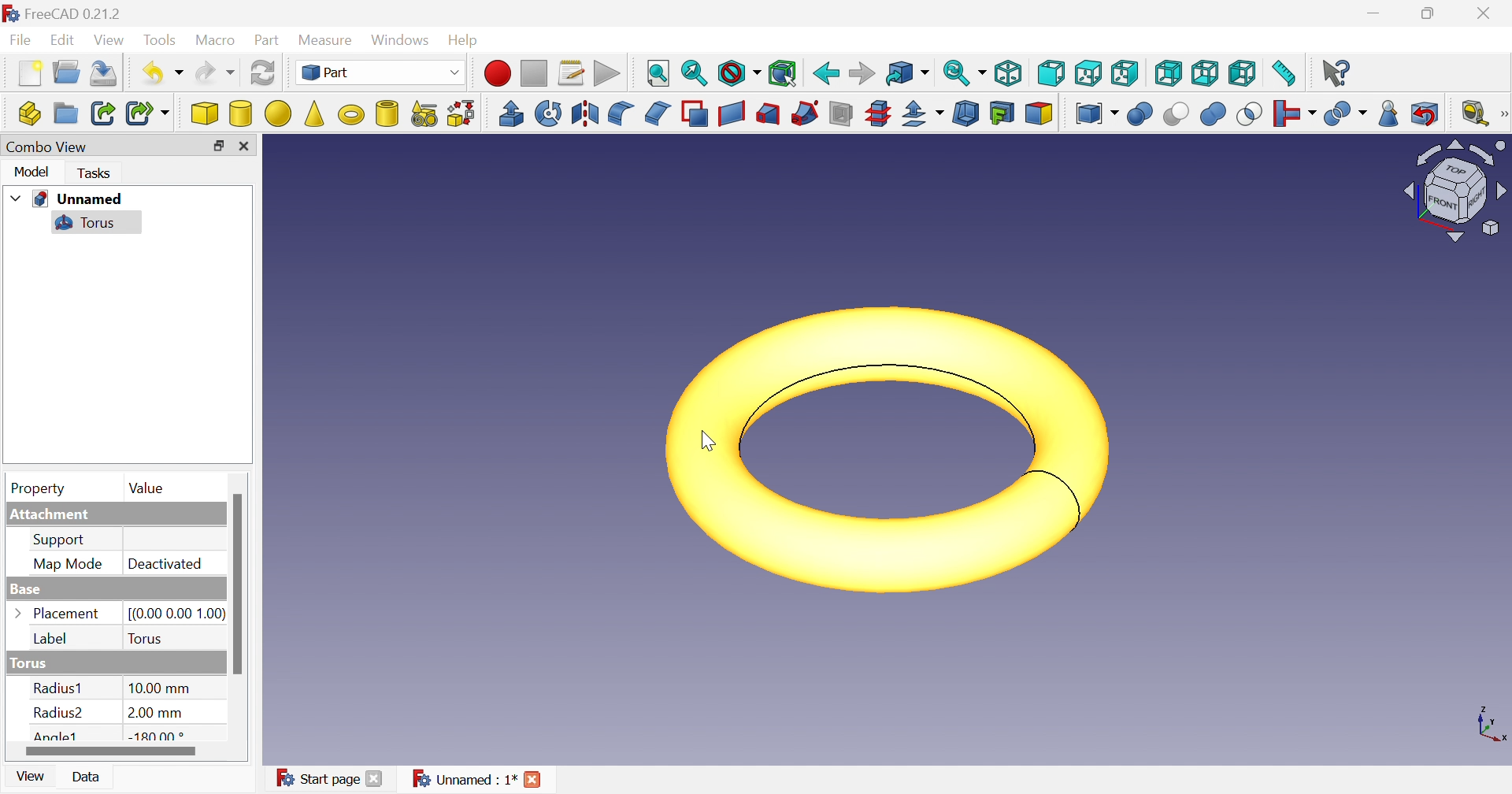  Describe the element at coordinates (807, 113) in the screenshot. I see `Sweep` at that location.